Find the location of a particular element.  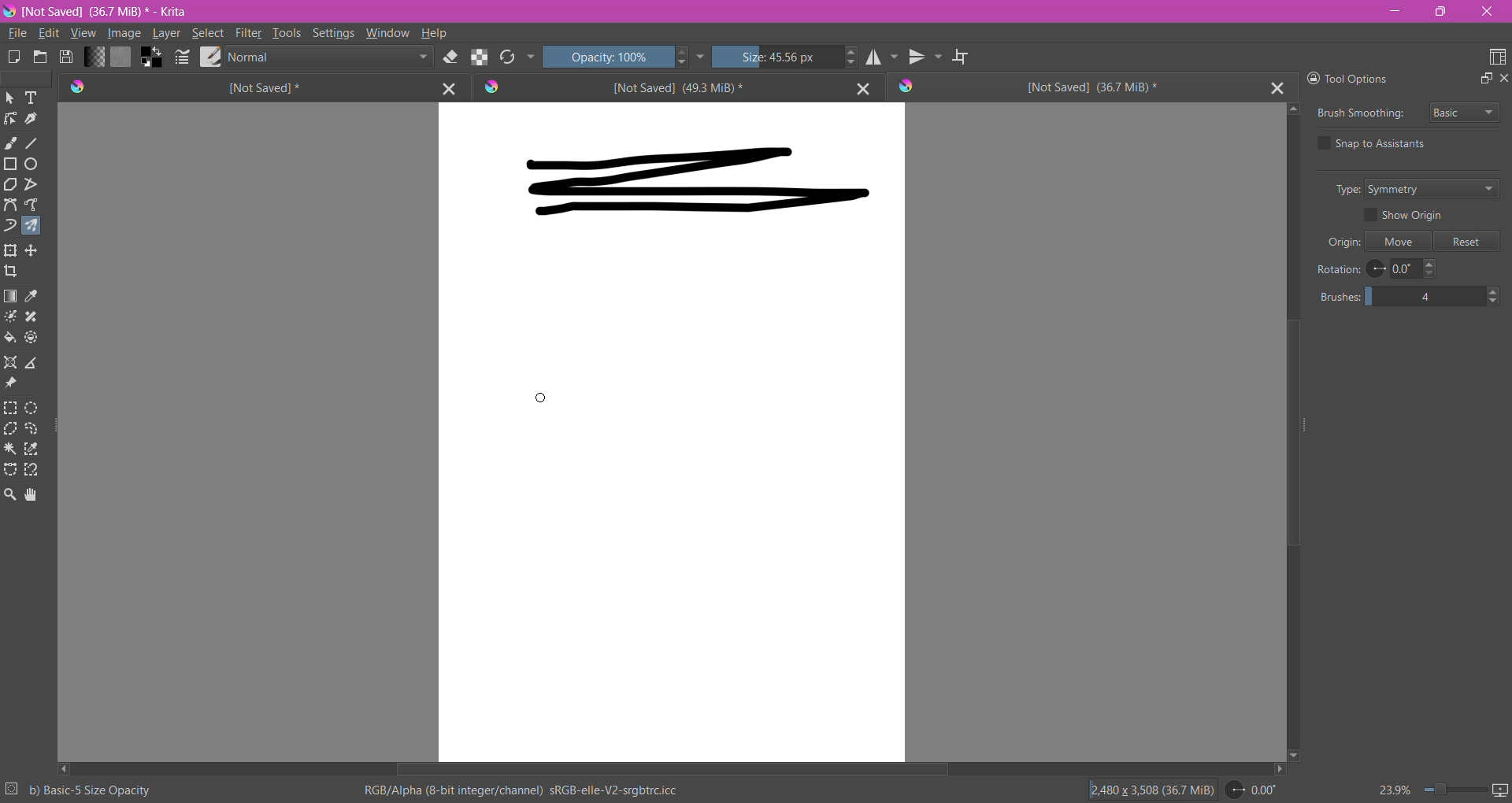

Create New Document is located at coordinates (13, 59).